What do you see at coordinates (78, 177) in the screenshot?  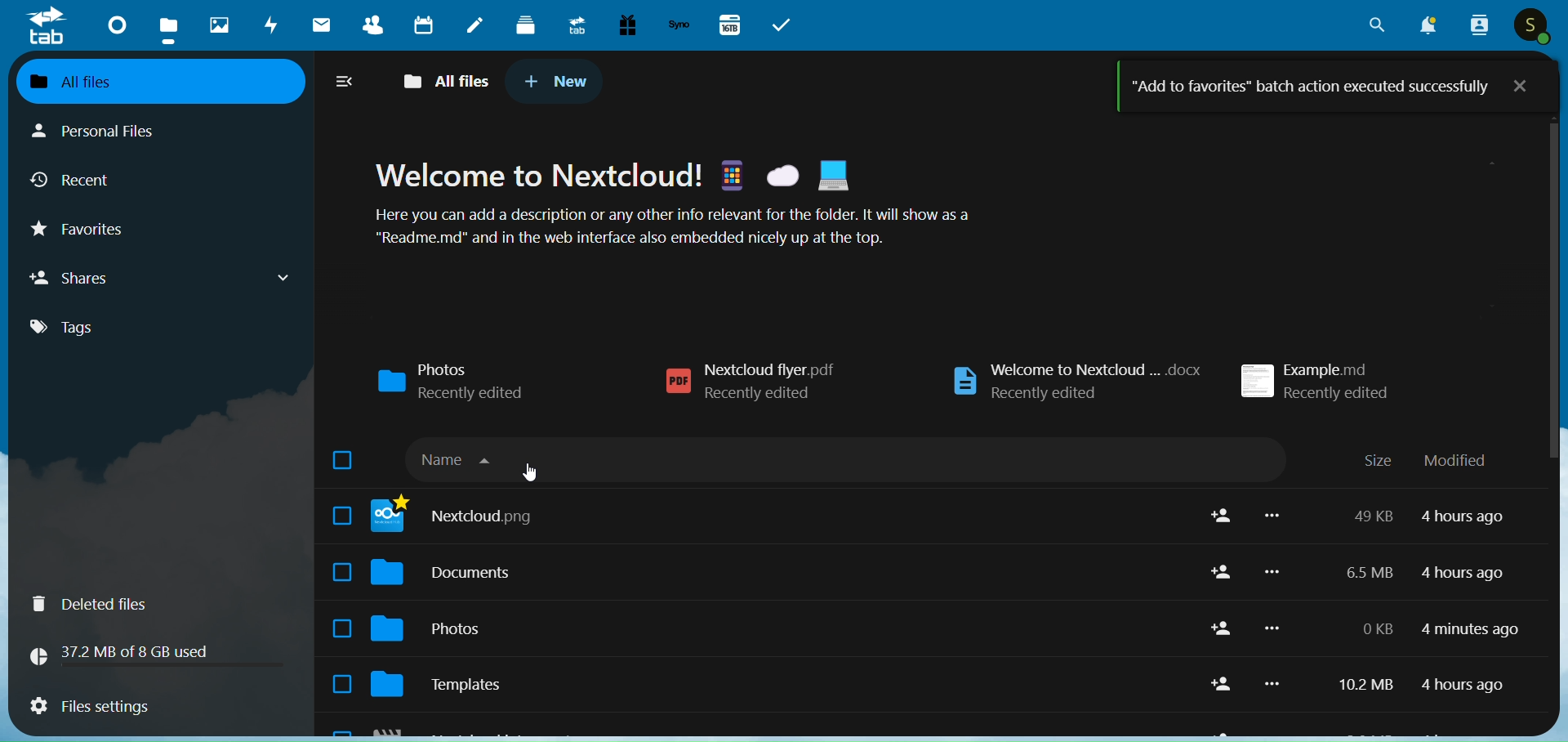 I see `recent` at bounding box center [78, 177].